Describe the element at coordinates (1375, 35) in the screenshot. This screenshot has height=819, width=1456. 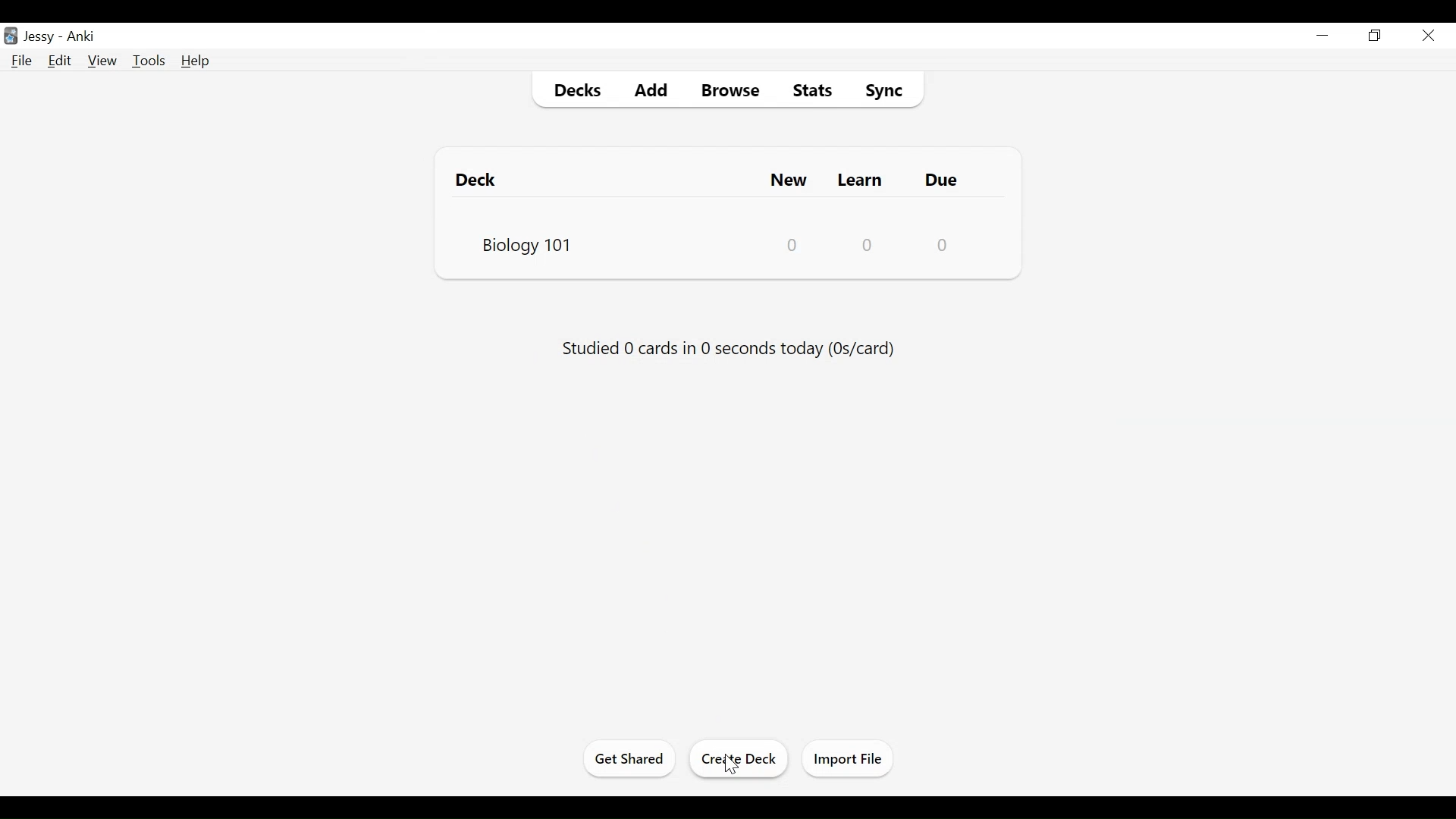
I see `Restore` at that location.